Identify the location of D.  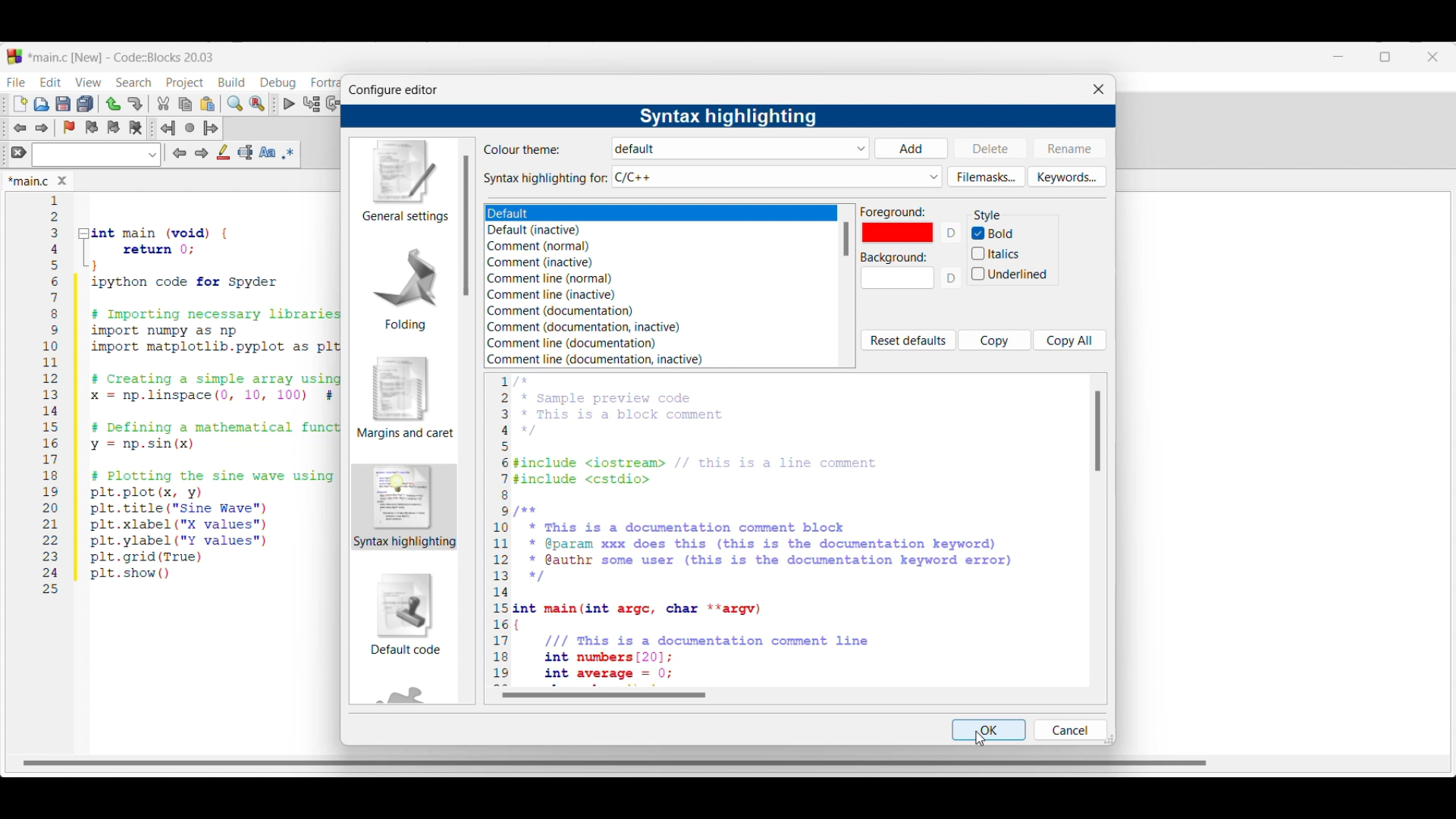
(953, 233).